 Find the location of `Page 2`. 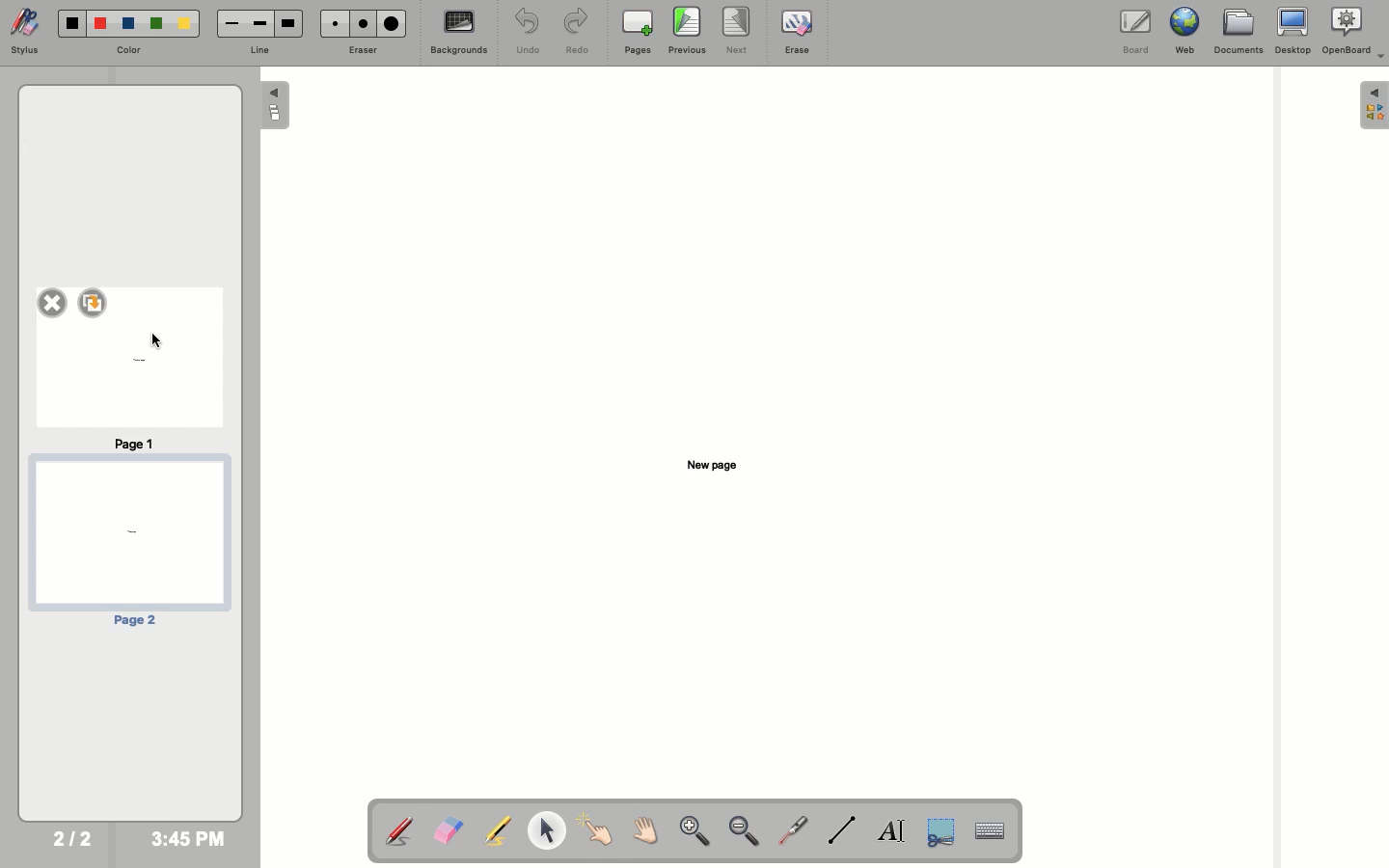

Page 2 is located at coordinates (127, 542).